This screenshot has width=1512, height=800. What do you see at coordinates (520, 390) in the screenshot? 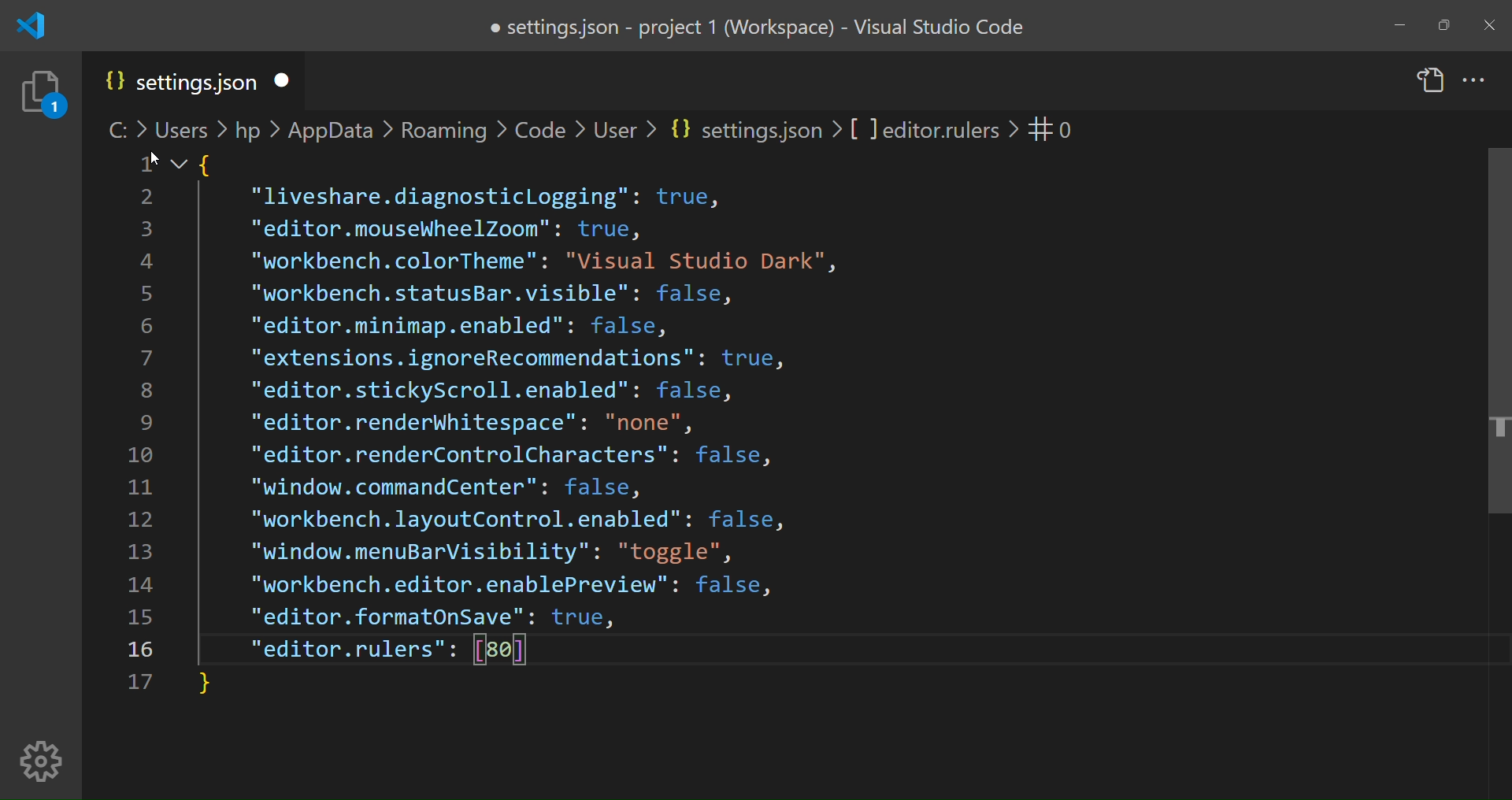
I see `code` at bounding box center [520, 390].